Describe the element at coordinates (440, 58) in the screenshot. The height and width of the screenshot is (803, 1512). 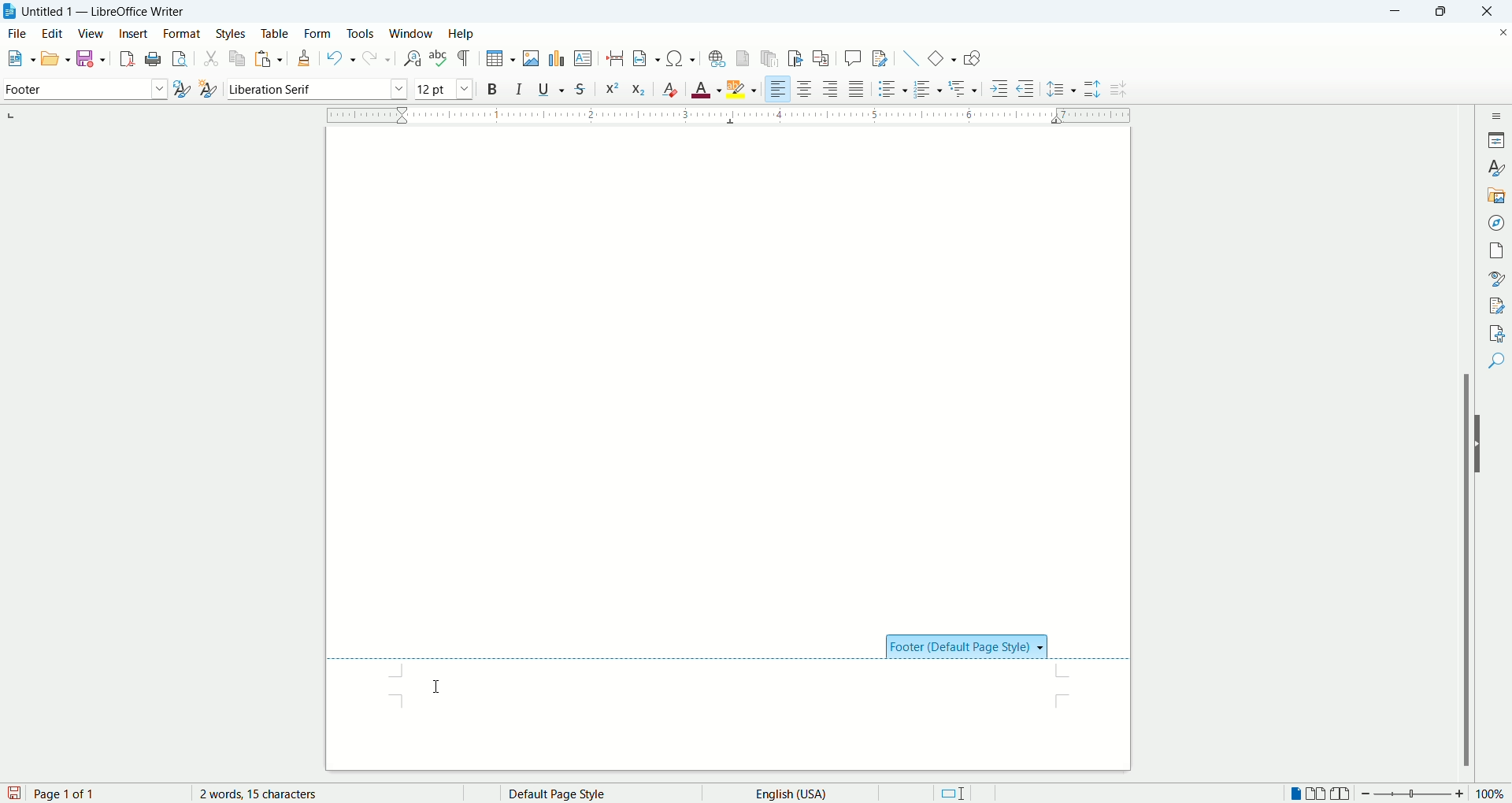
I see `spell check` at that location.